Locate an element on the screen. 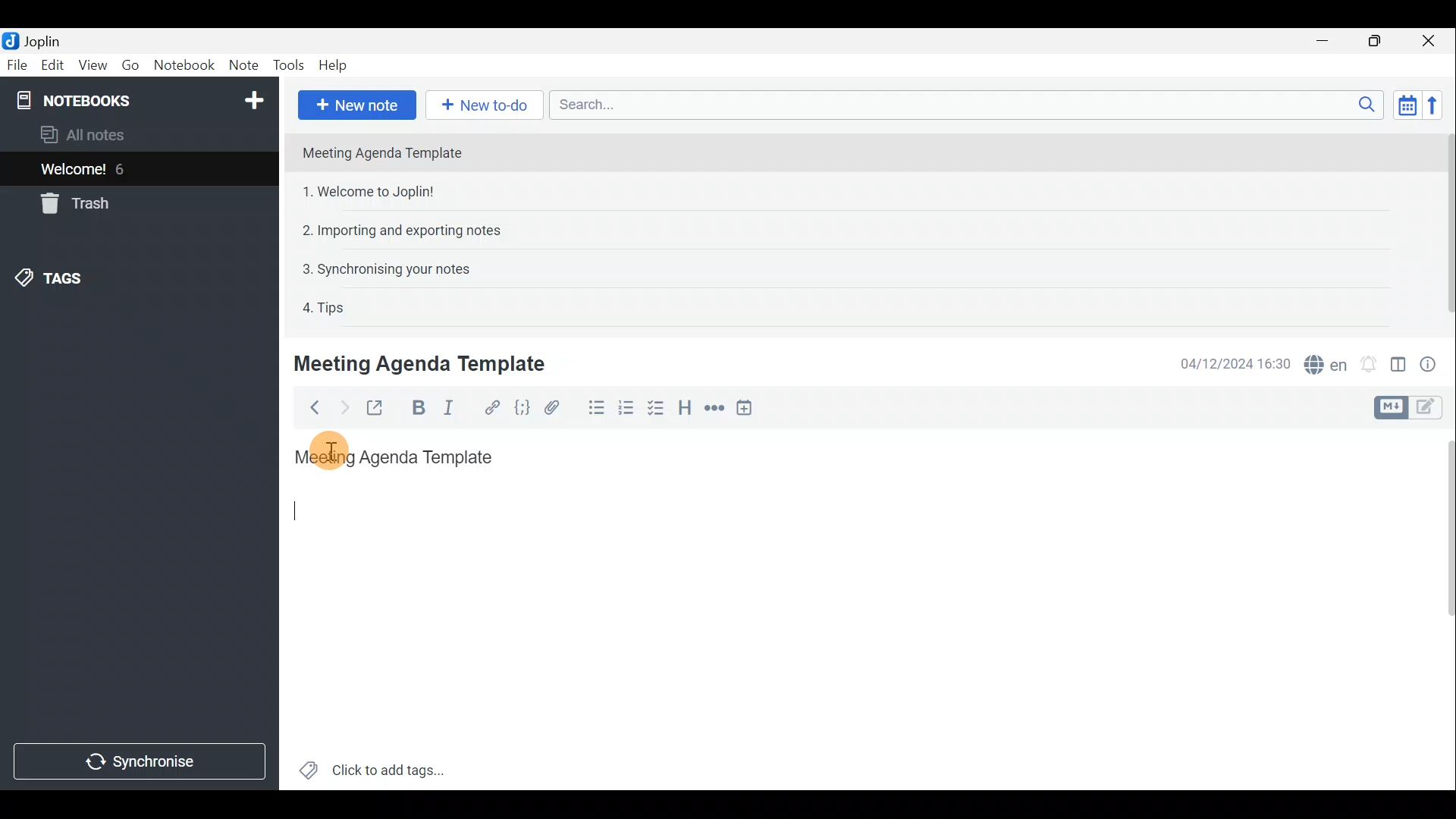  Toggle editors is located at coordinates (1389, 408).